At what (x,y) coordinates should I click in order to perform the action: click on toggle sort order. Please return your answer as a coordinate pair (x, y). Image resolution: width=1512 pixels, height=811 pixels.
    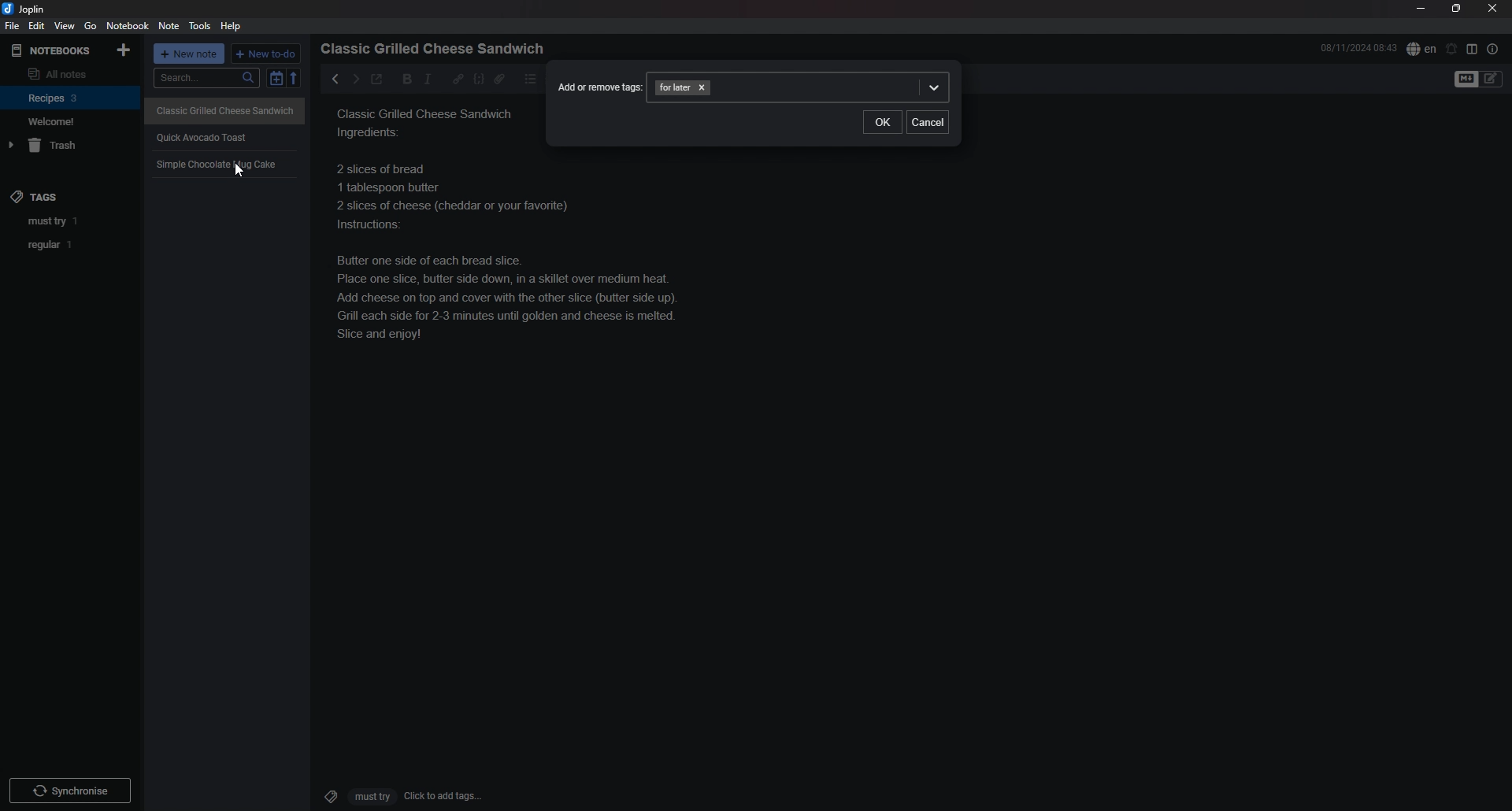
    Looking at the image, I should click on (276, 80).